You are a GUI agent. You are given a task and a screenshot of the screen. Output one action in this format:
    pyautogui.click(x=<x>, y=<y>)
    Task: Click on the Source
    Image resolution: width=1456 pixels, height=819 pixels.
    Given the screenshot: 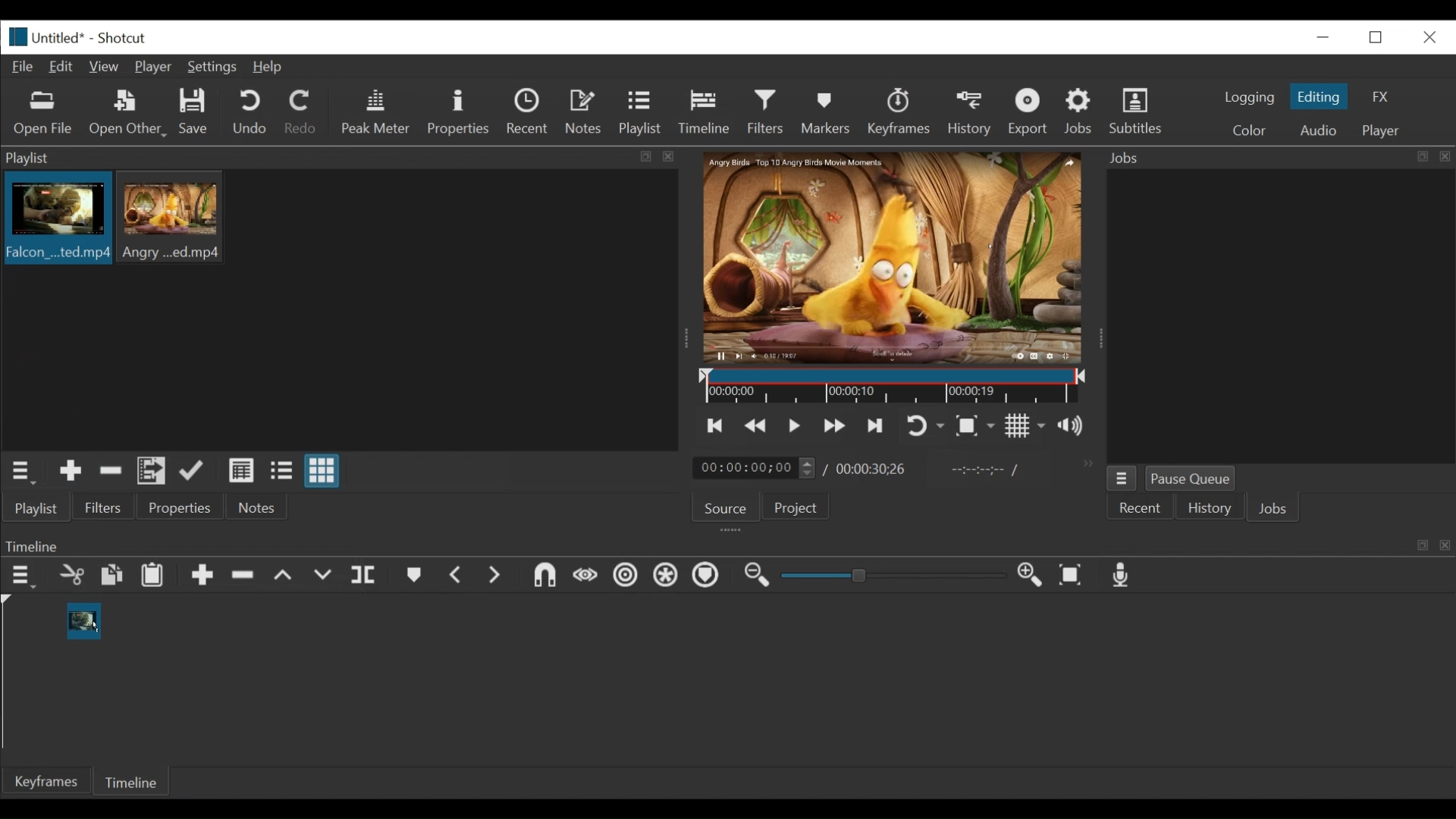 What is the action you would take?
    pyautogui.click(x=724, y=510)
    